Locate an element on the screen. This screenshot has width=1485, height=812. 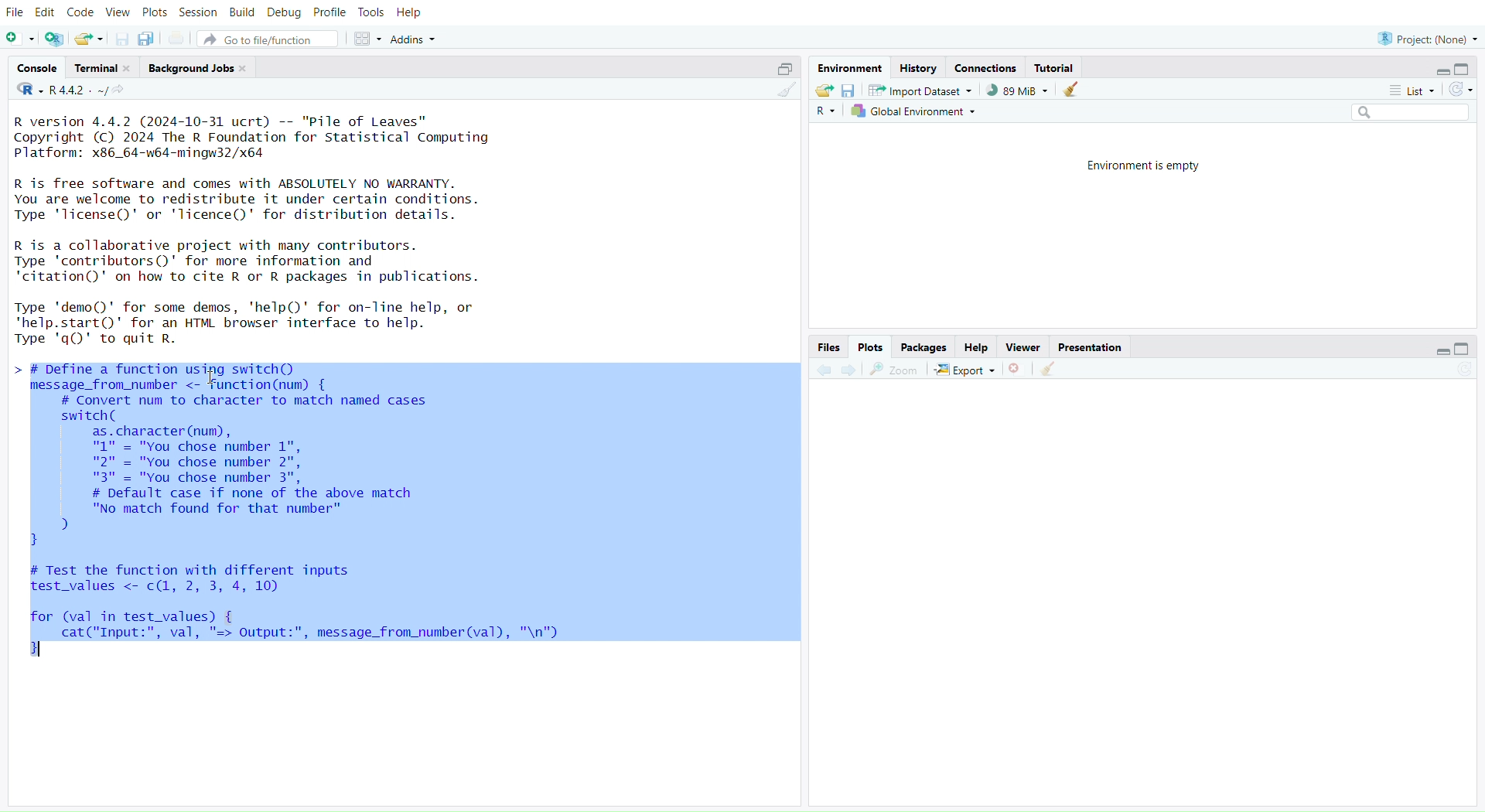
89kib used by R session (Source: Windows System) is located at coordinates (1016, 90).